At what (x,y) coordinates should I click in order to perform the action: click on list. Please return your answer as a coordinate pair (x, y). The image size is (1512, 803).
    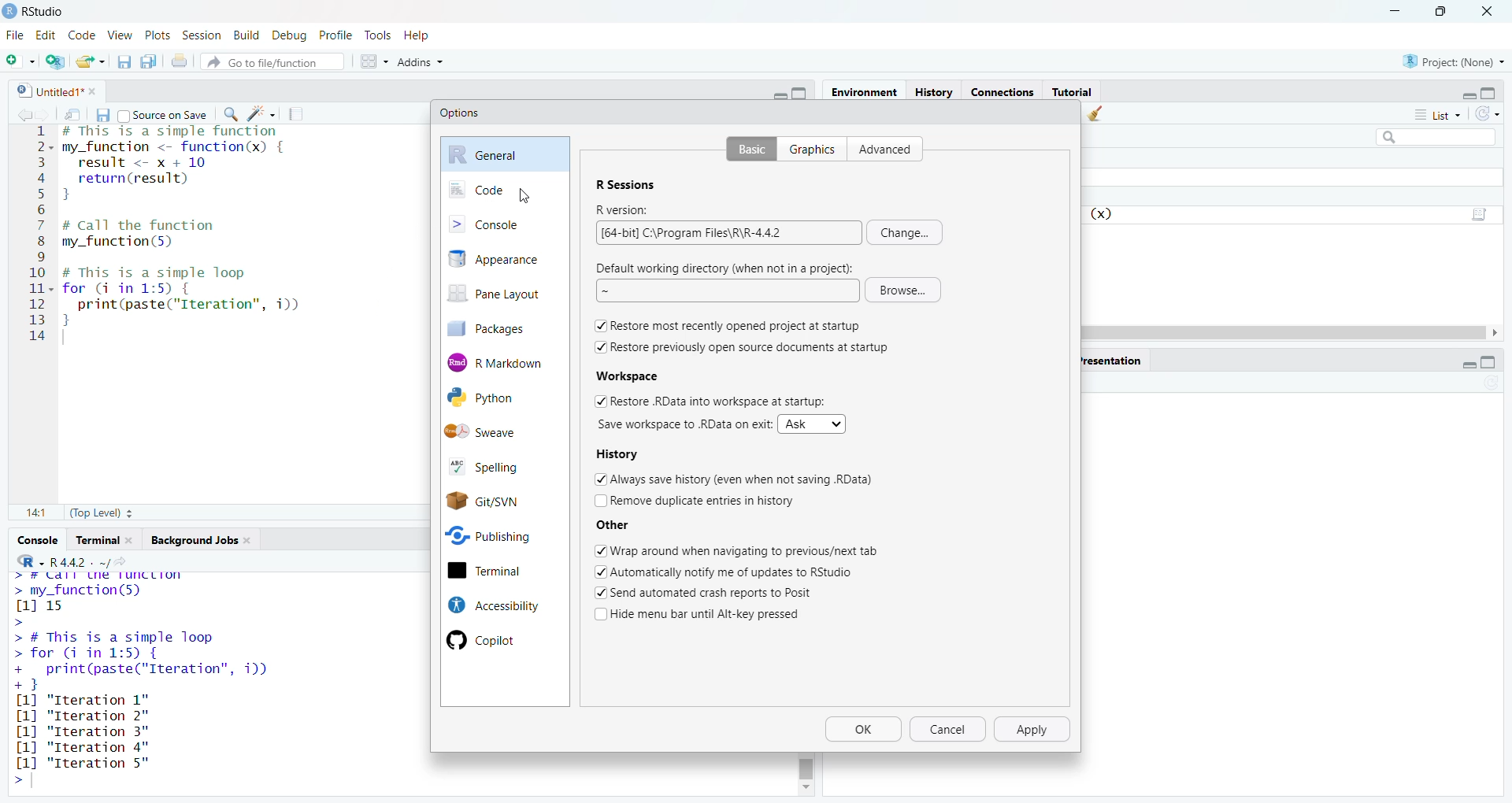
    Looking at the image, I should click on (1436, 117).